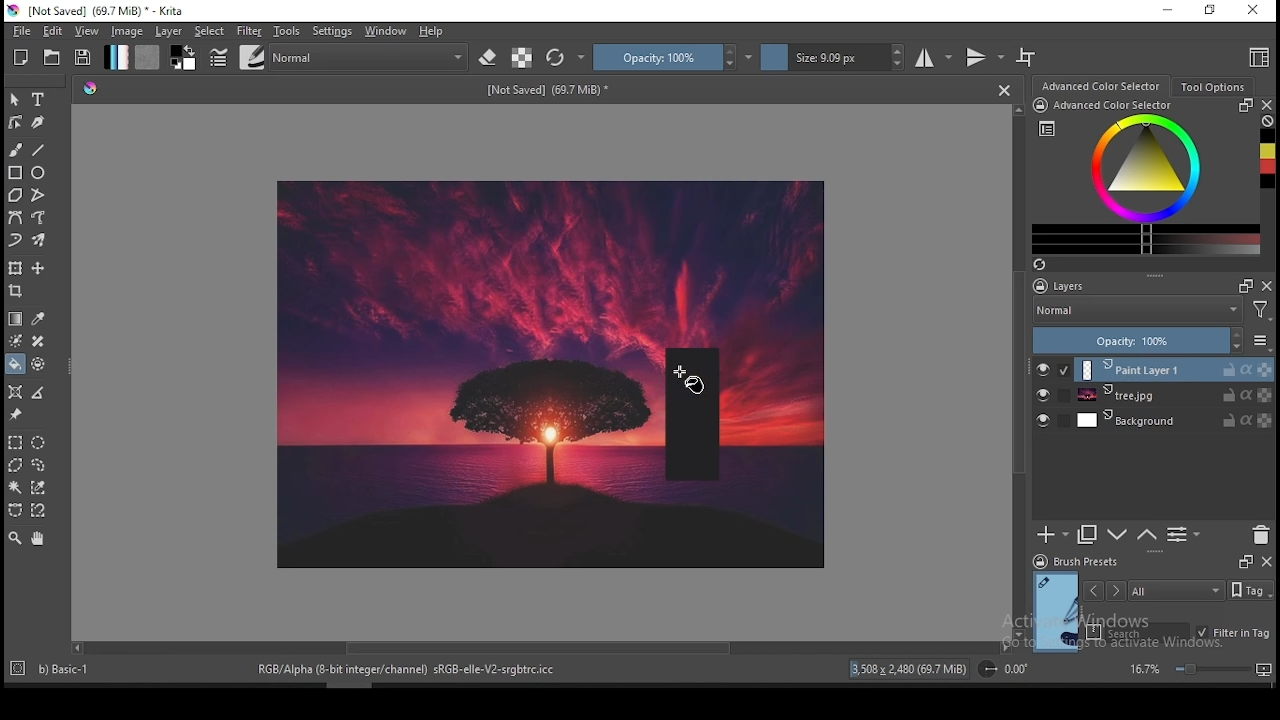  What do you see at coordinates (211, 31) in the screenshot?
I see `select` at bounding box center [211, 31].